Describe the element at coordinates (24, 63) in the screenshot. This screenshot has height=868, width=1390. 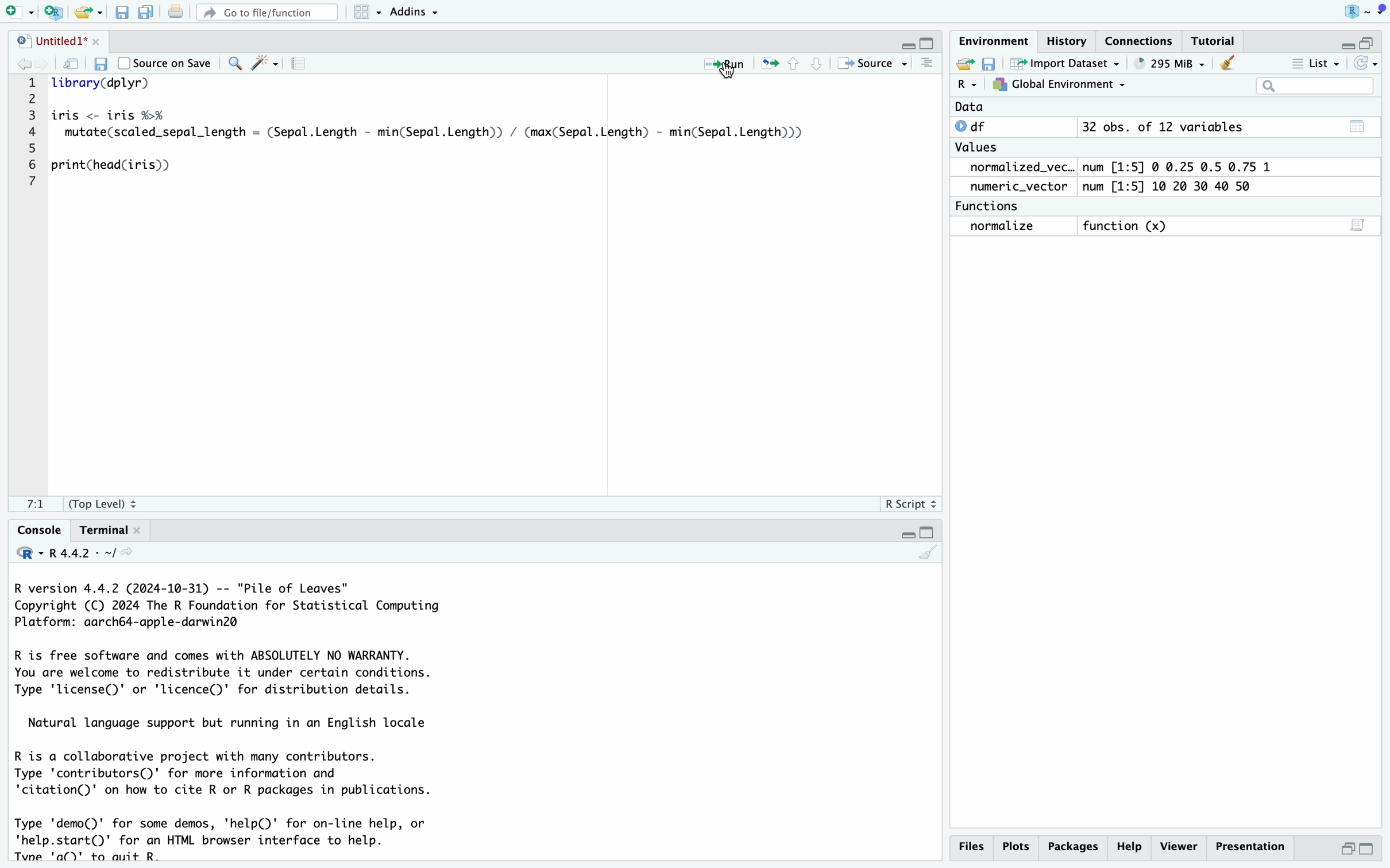
I see `Back` at that location.